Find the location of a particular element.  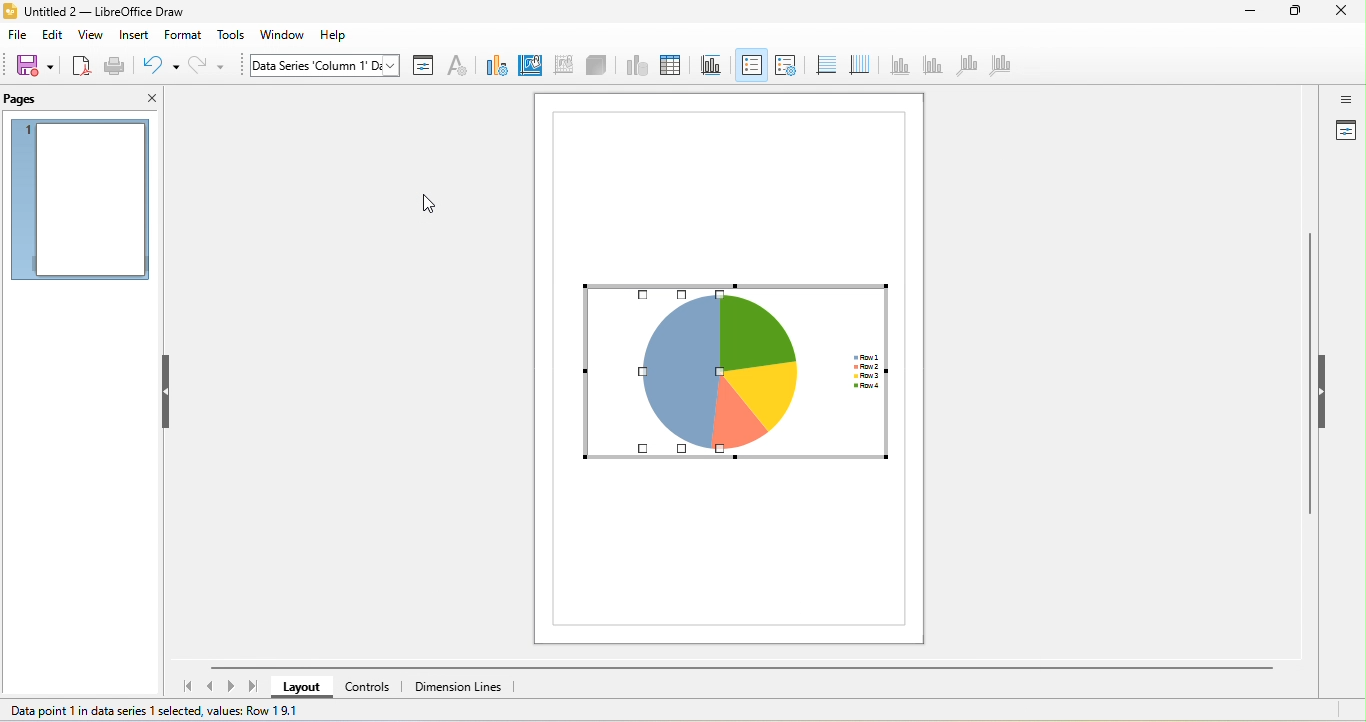

x axis is located at coordinates (899, 64).